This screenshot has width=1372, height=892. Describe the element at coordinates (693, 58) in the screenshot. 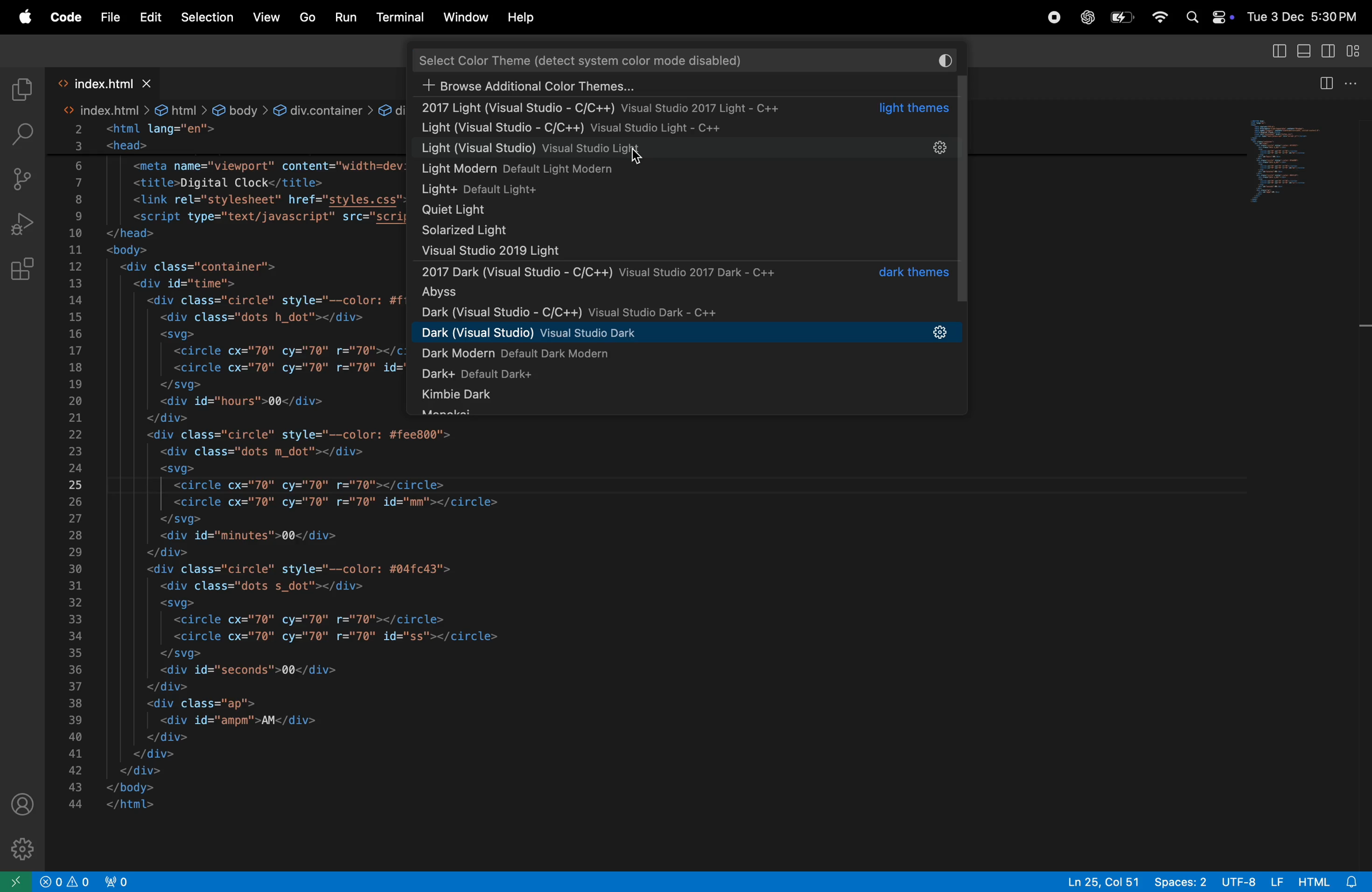

I see `search bar` at that location.